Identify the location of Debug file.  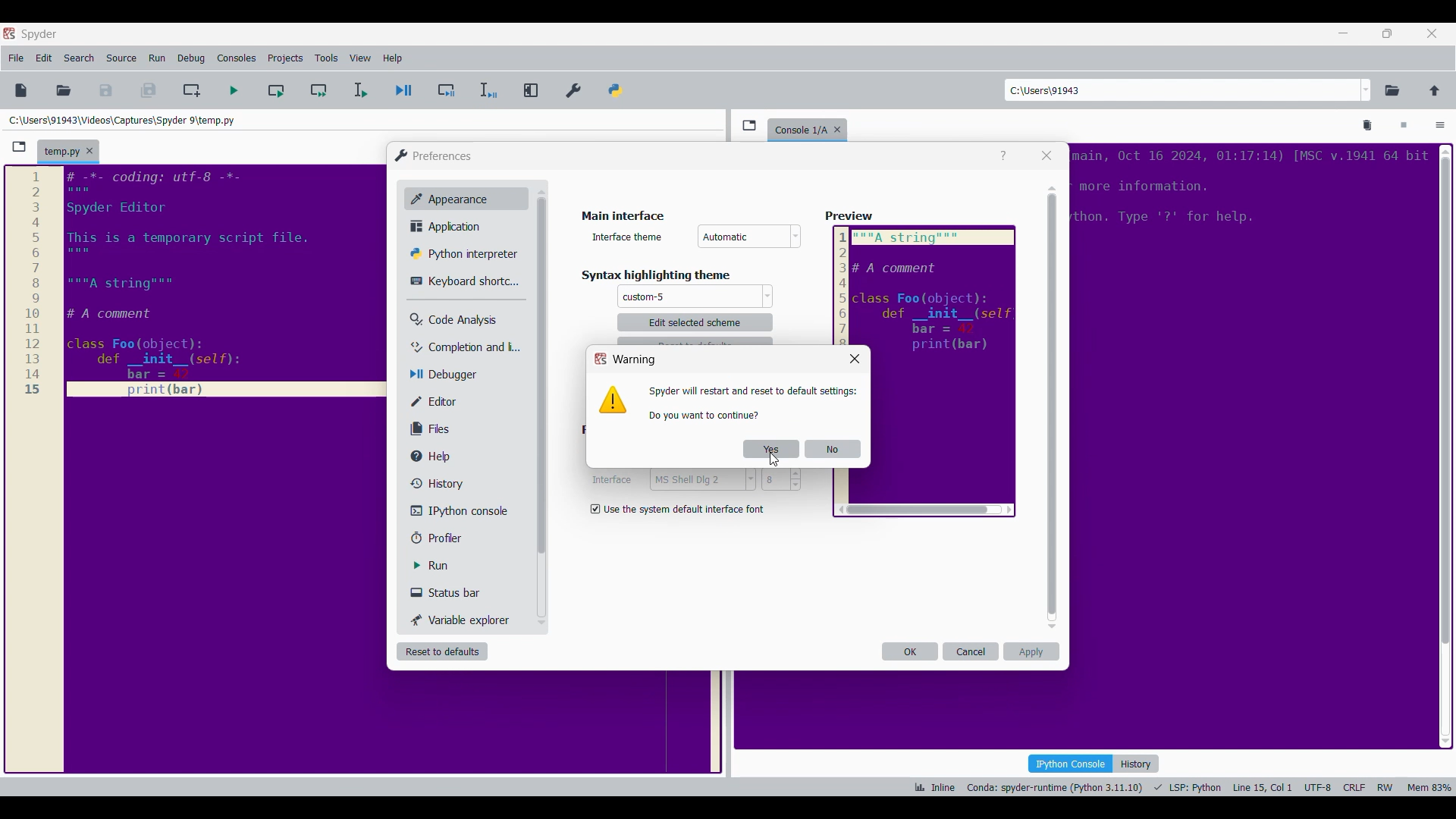
(403, 90).